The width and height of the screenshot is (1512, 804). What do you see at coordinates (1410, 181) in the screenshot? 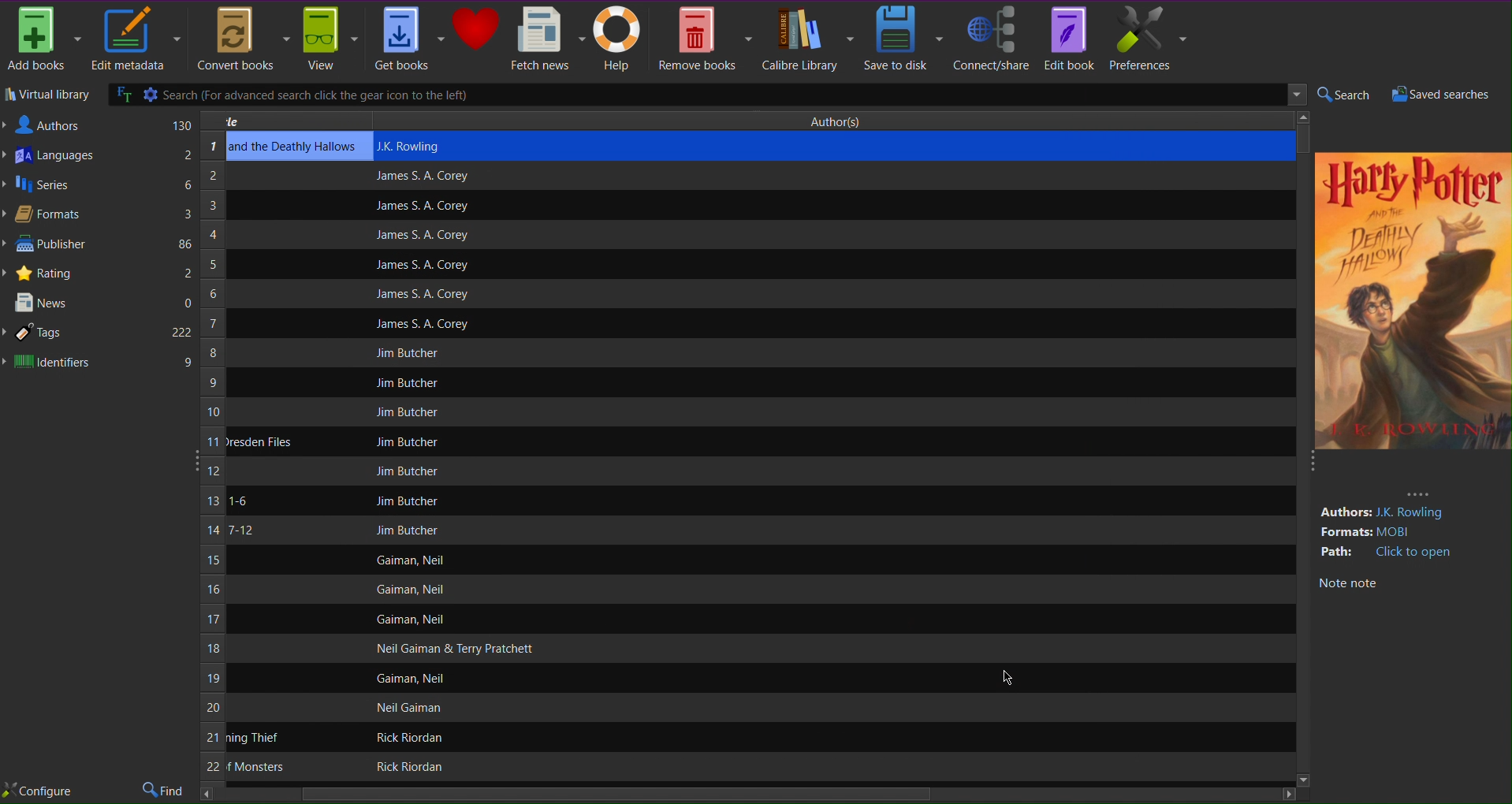
I see `harry potter` at bounding box center [1410, 181].